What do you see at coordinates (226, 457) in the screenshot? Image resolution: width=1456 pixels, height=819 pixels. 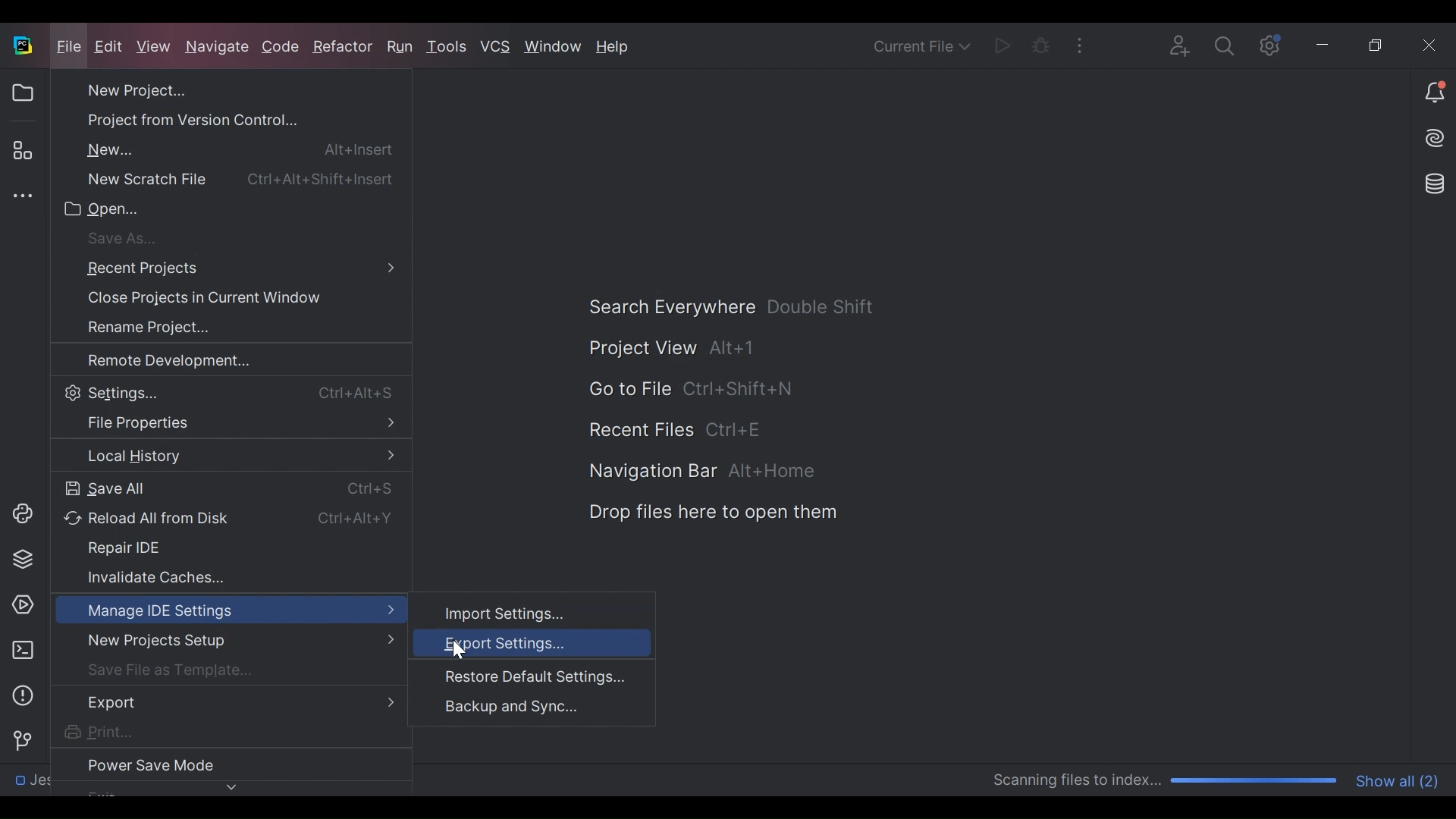 I see `Local History` at bounding box center [226, 457].